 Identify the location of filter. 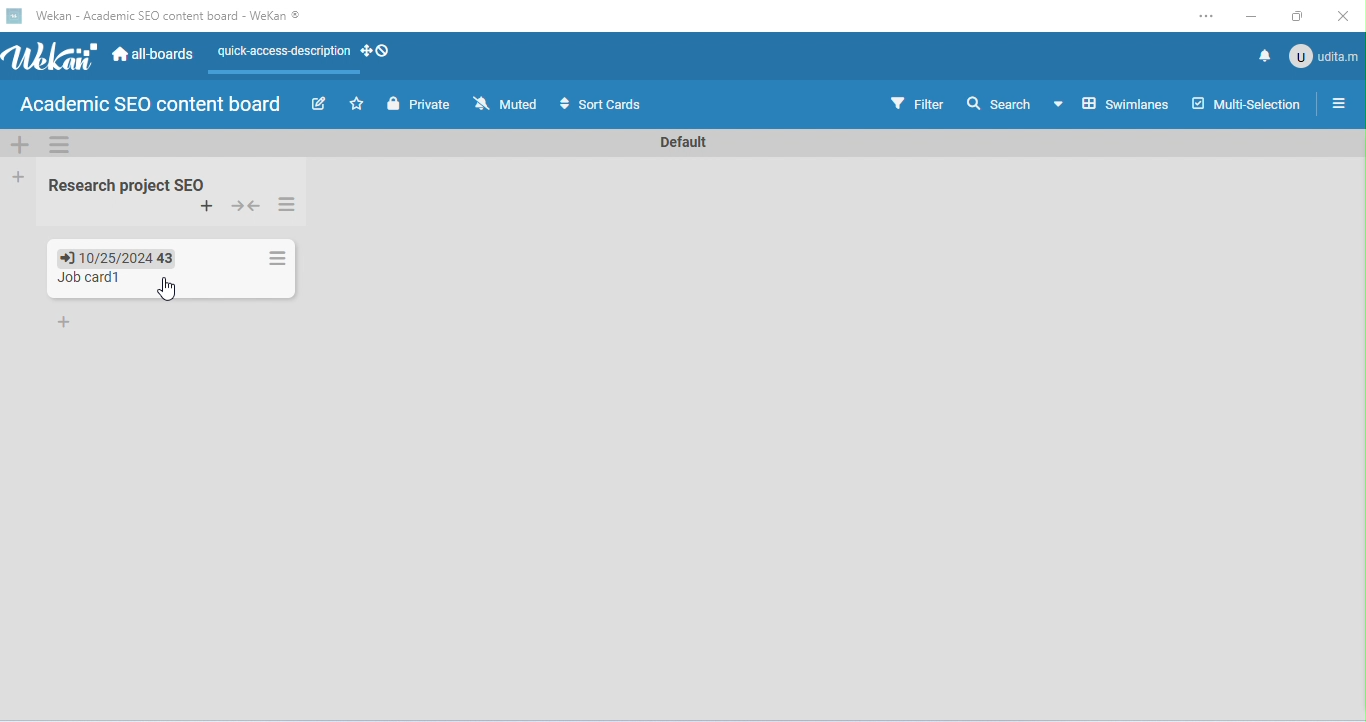
(917, 103).